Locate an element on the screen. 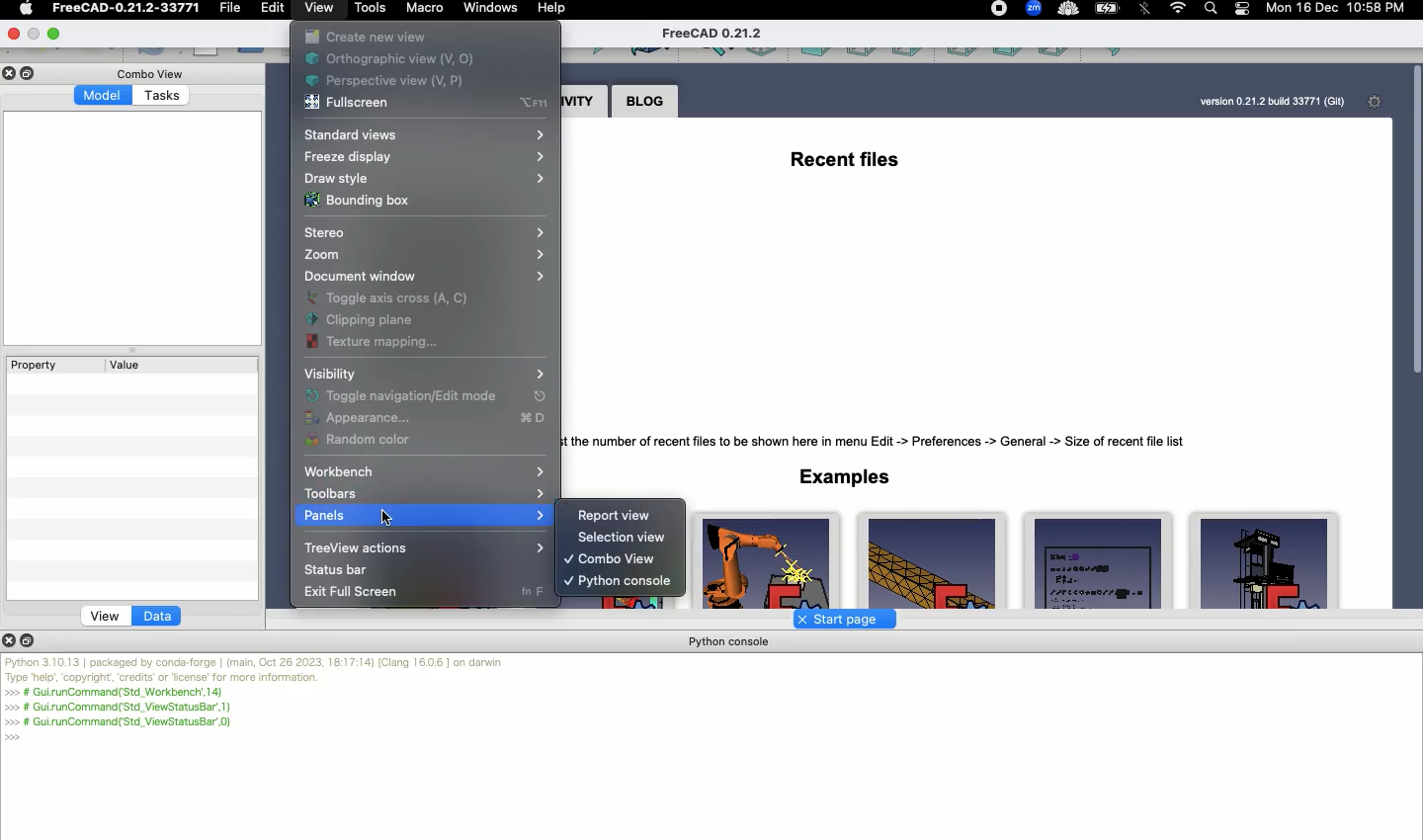 The width and height of the screenshot is (1423, 840). Workbench is located at coordinates (426, 472).